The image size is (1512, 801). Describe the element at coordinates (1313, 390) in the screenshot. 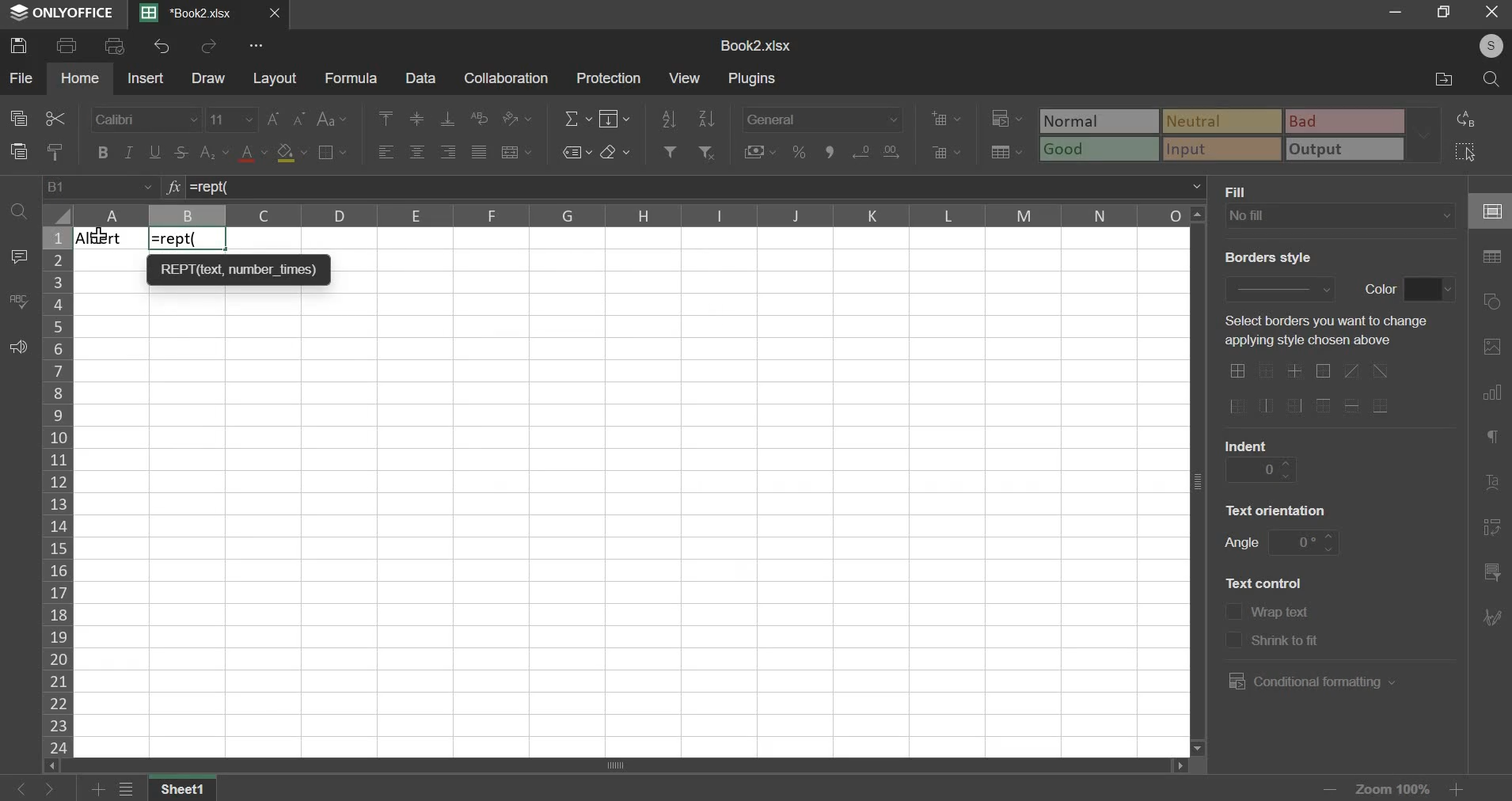

I see `border options` at that location.